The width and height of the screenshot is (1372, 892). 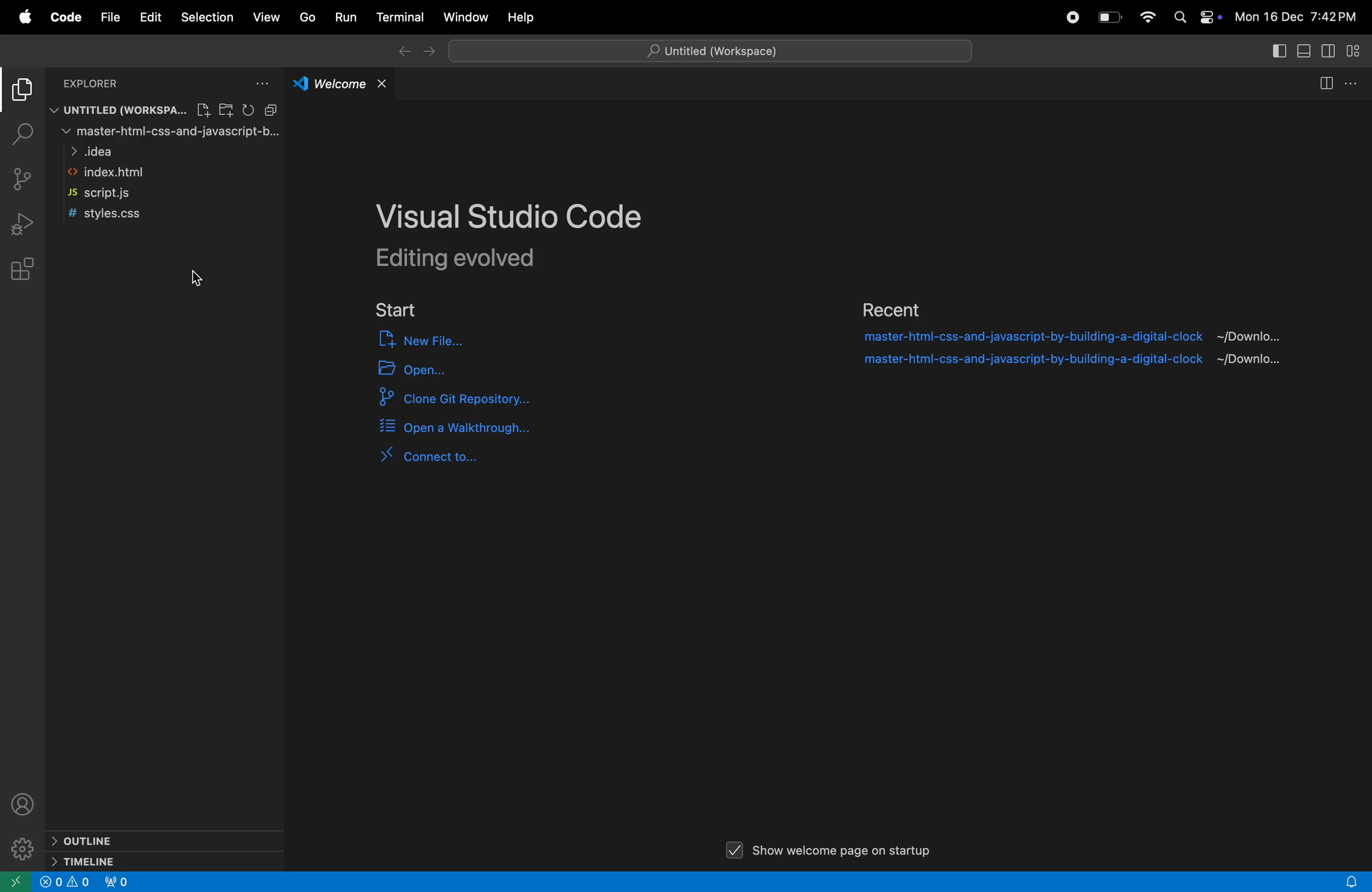 What do you see at coordinates (1328, 51) in the screenshot?
I see `toggle secondary sidebar` at bounding box center [1328, 51].